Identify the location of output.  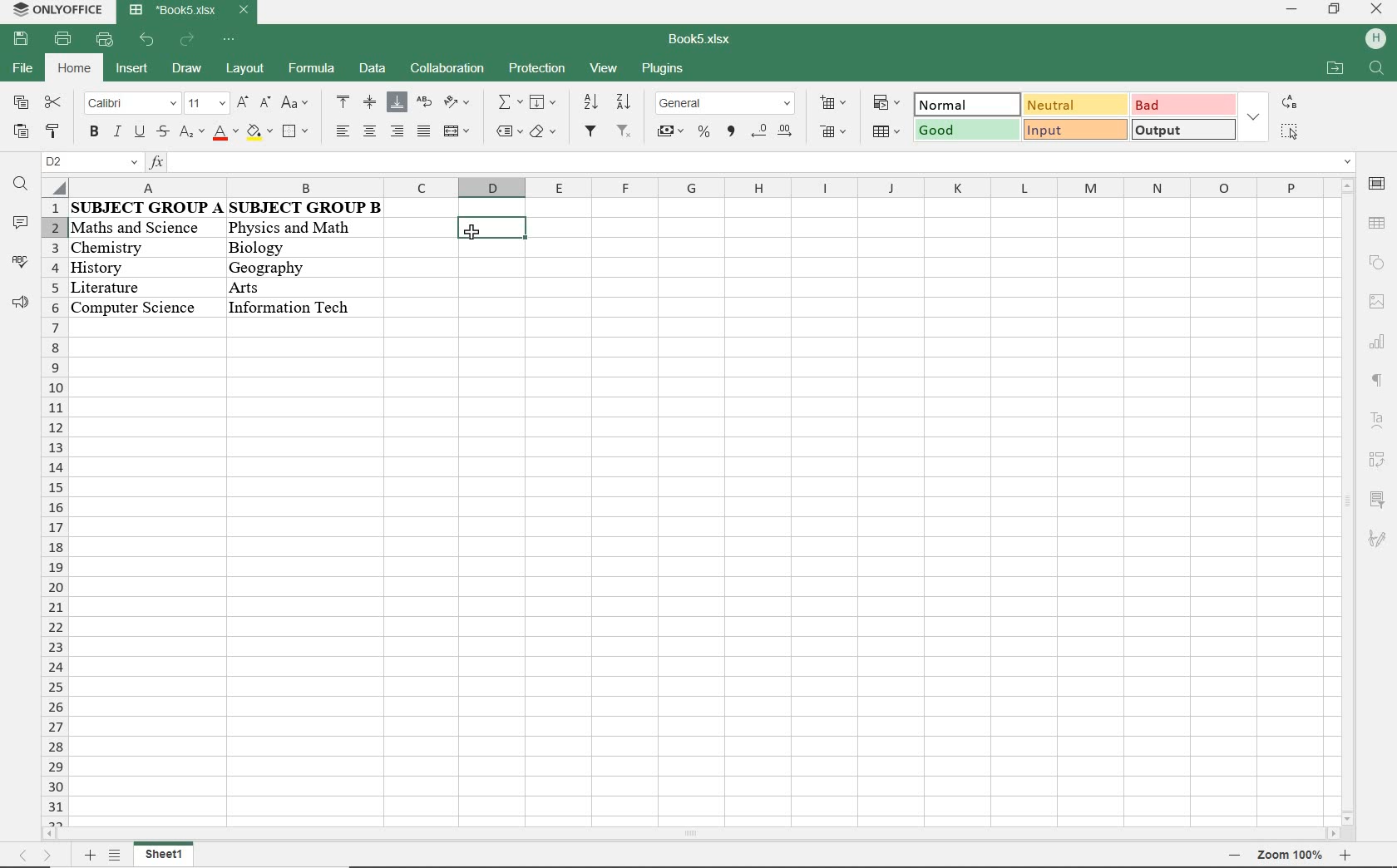
(1184, 130).